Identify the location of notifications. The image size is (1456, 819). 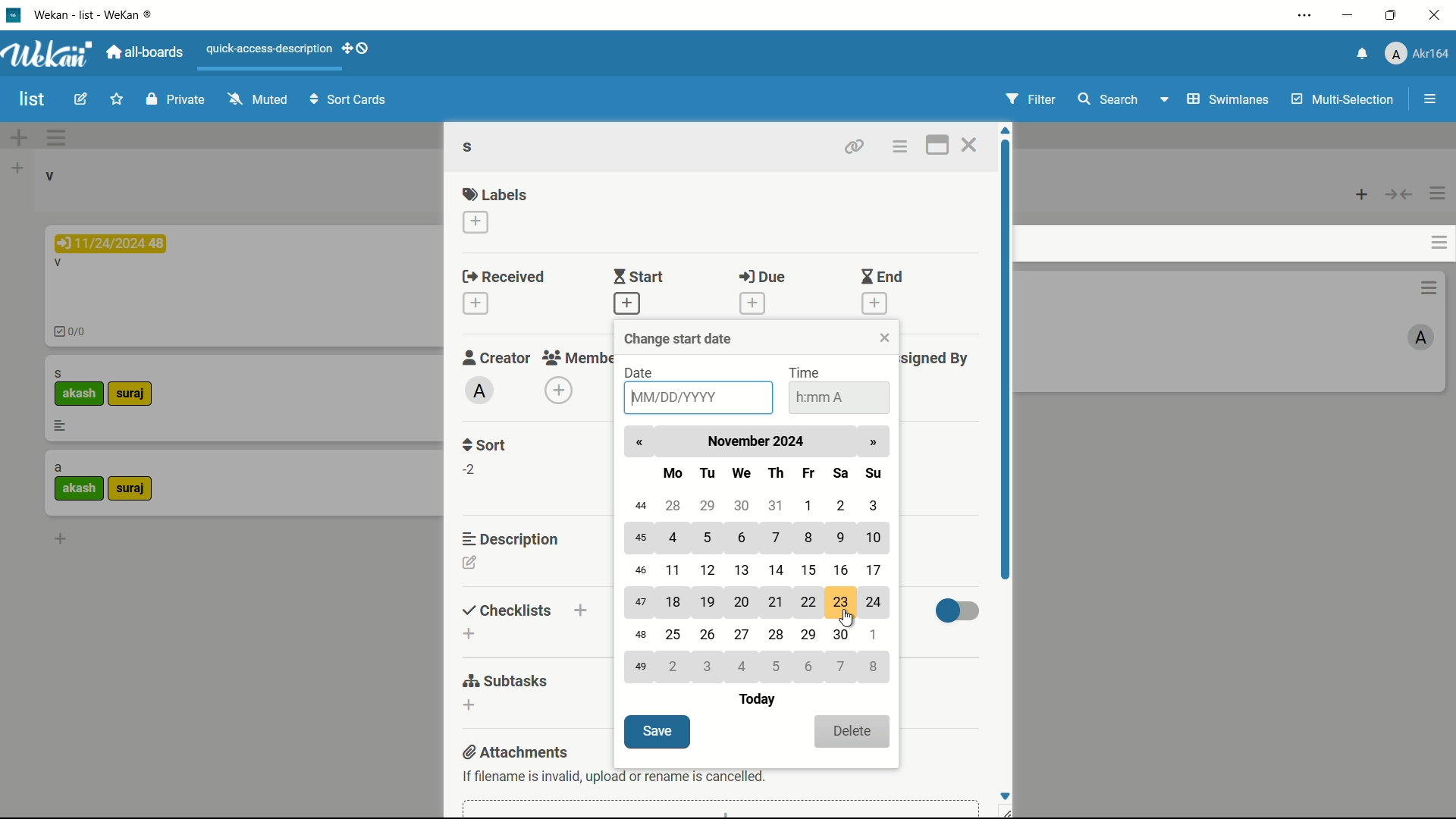
(1363, 52).